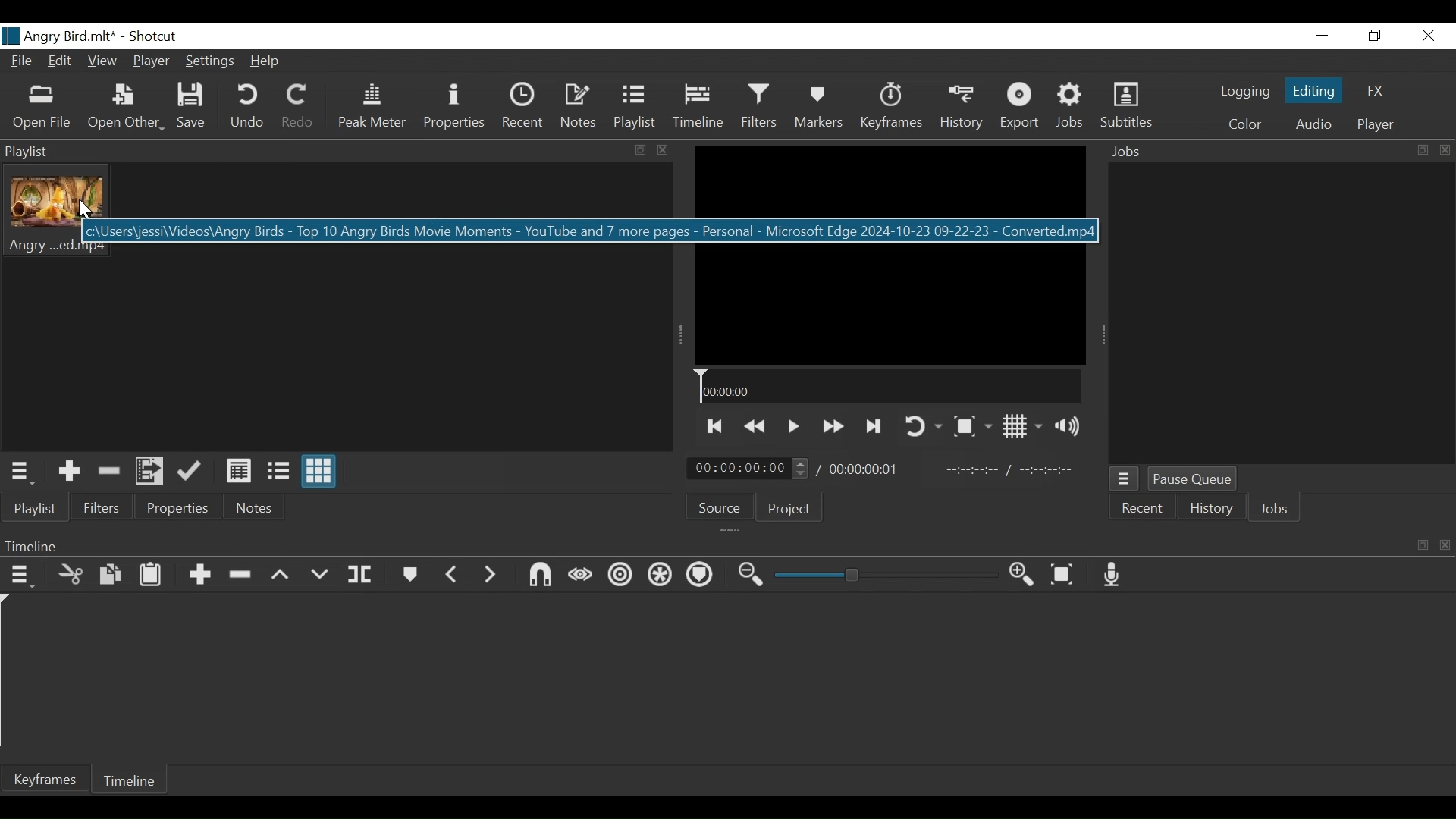 This screenshot has height=819, width=1456. What do you see at coordinates (452, 574) in the screenshot?
I see `Previous marker` at bounding box center [452, 574].